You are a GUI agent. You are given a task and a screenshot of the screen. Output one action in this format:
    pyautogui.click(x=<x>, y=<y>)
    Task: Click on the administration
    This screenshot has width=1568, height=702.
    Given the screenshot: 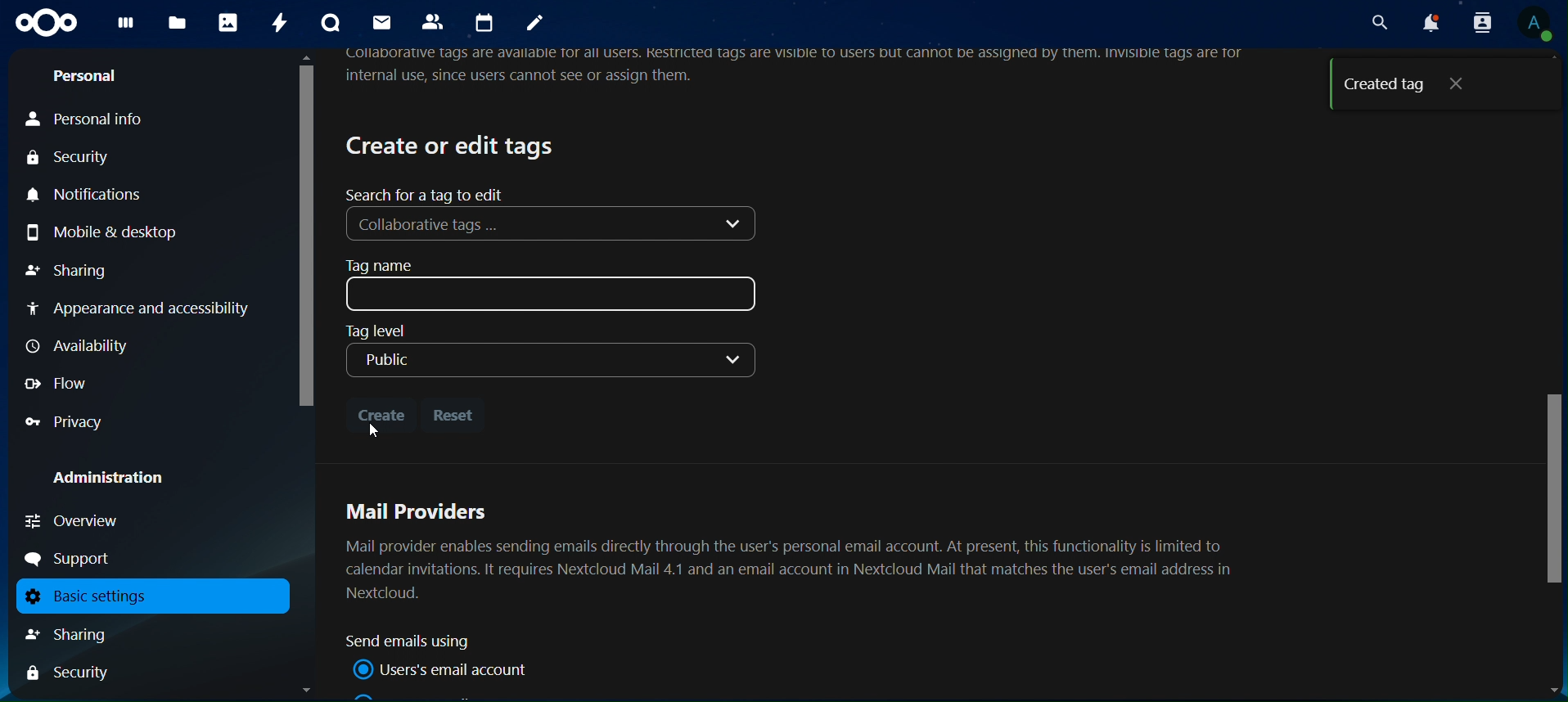 What is the action you would take?
    pyautogui.click(x=120, y=479)
    